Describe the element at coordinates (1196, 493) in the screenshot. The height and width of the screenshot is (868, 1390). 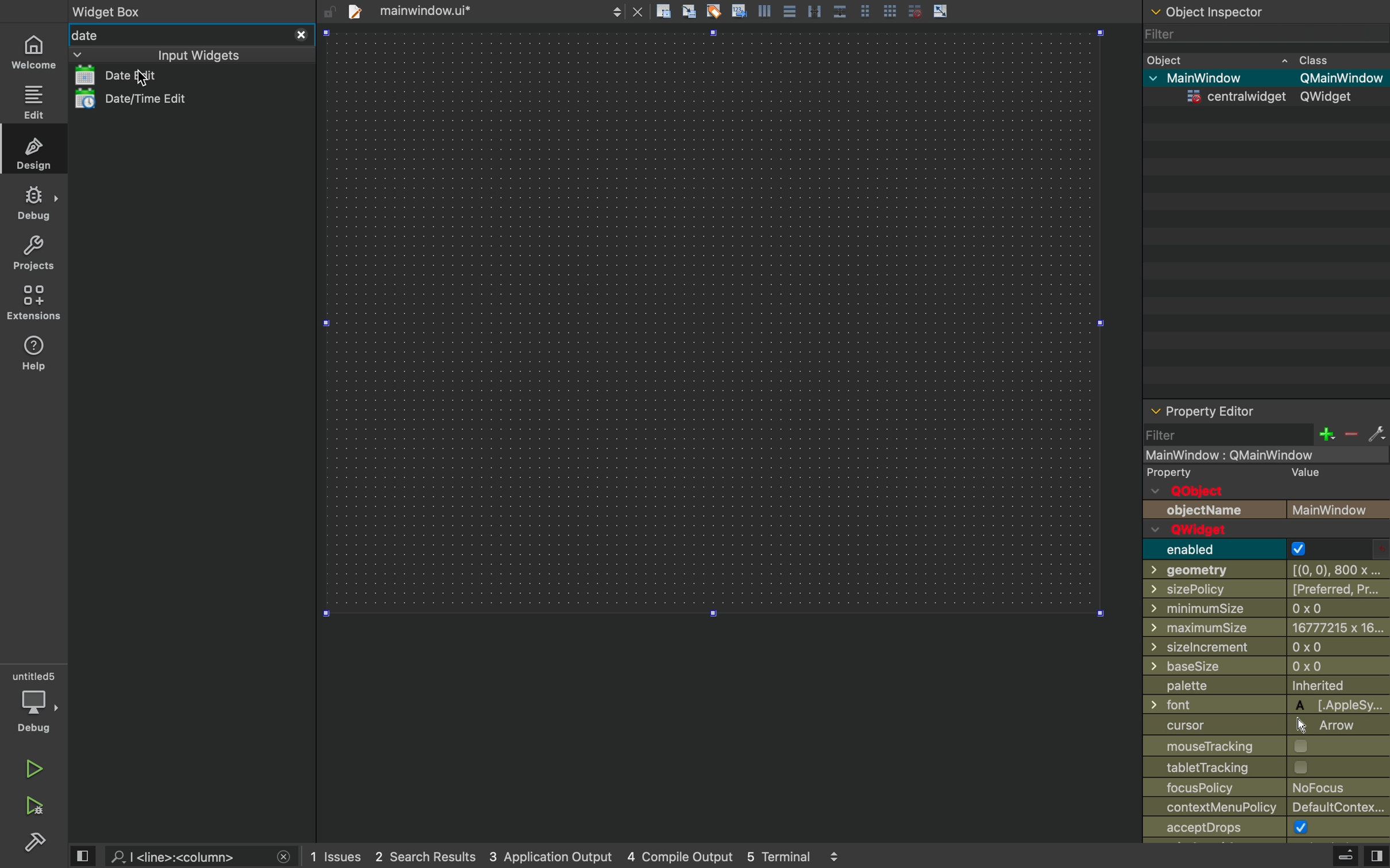
I see `q object` at that location.